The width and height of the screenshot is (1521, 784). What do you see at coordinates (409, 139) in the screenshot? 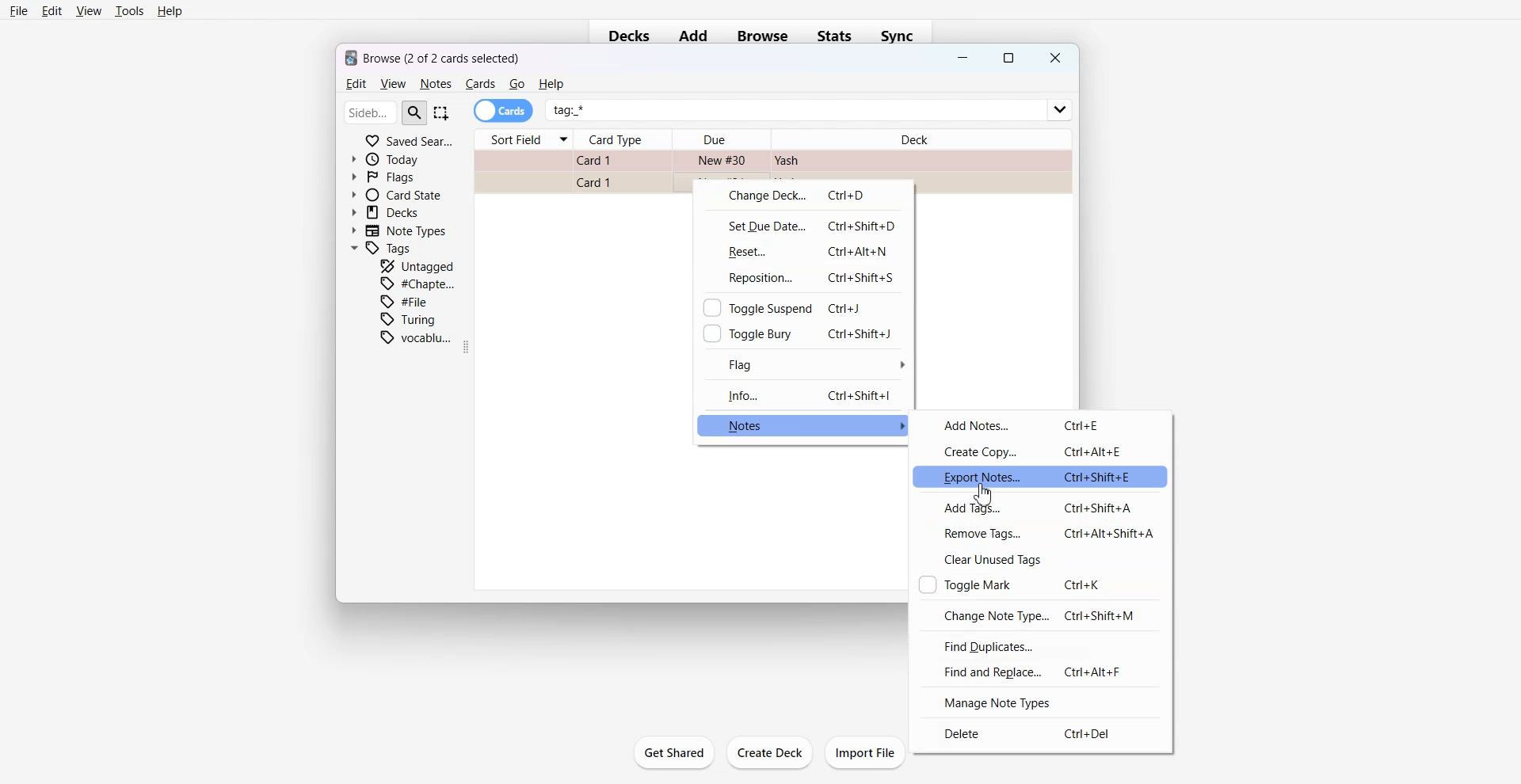
I see `Saved Search` at bounding box center [409, 139].